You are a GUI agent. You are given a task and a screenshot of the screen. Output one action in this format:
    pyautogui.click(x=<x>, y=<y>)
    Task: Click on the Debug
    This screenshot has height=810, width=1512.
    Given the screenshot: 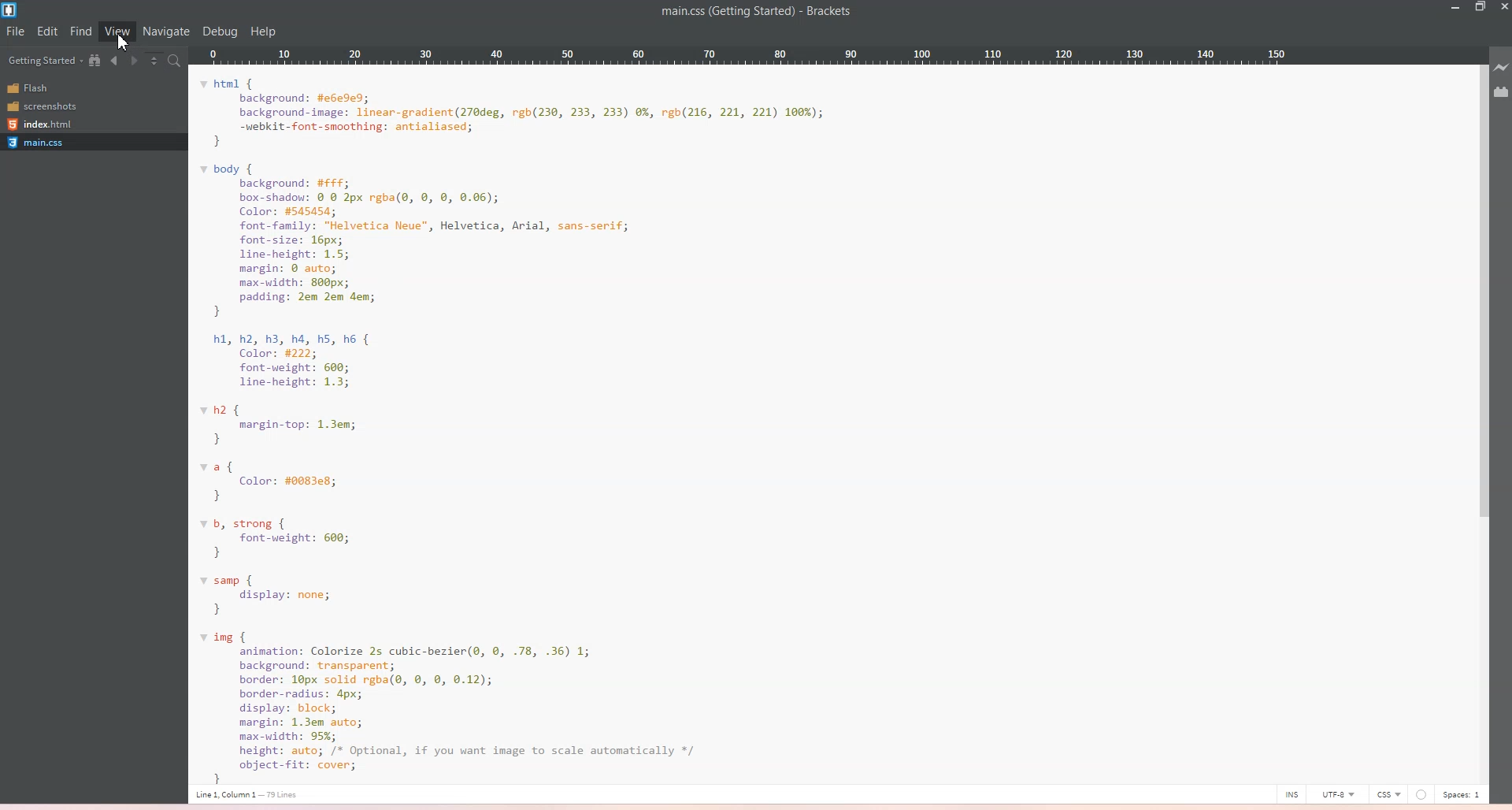 What is the action you would take?
    pyautogui.click(x=220, y=32)
    